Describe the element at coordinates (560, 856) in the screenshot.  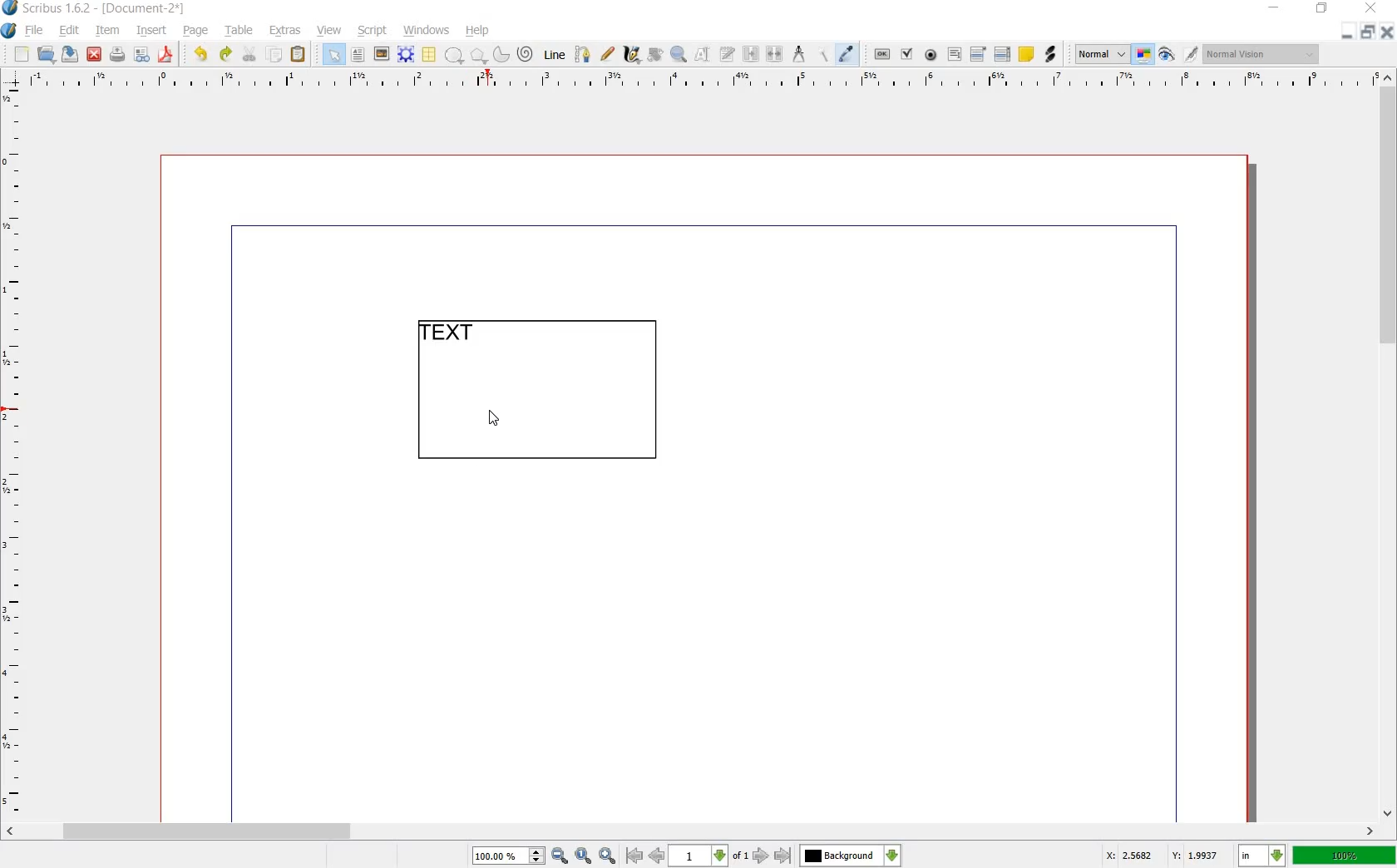
I see `zoom out` at that location.